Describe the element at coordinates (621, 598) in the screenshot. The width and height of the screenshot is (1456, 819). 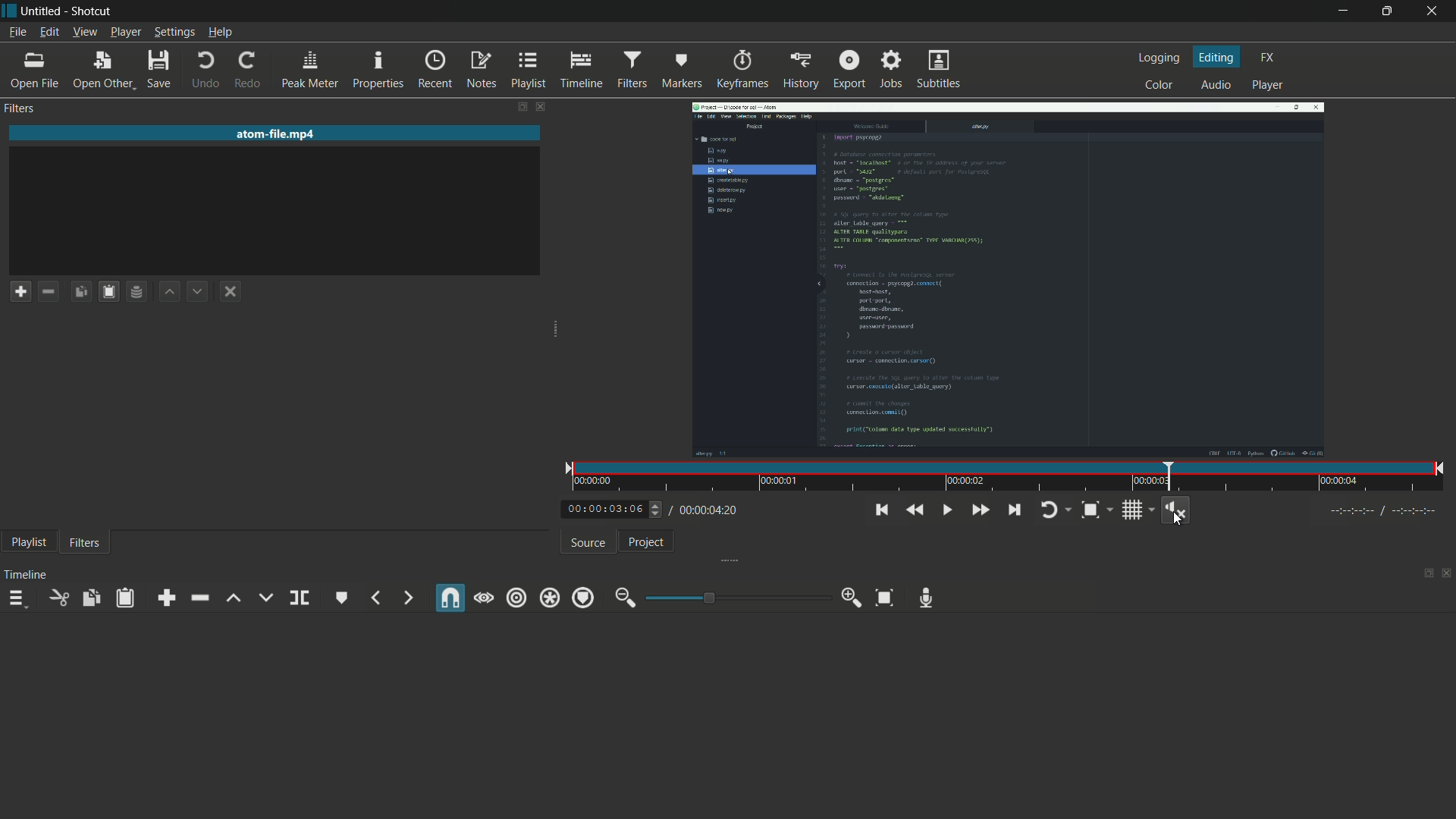
I see `zoom out` at that location.